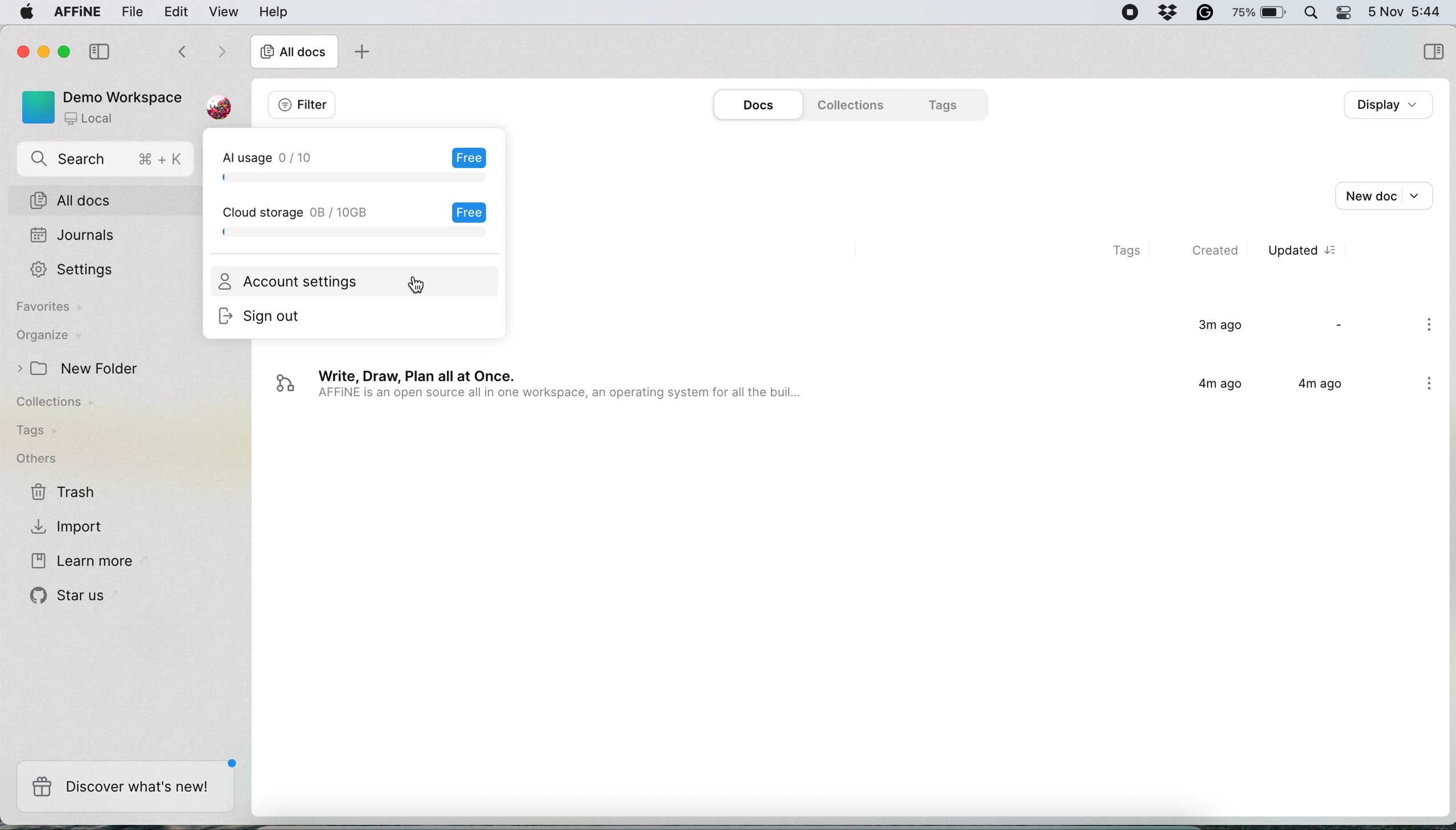 The height and width of the screenshot is (830, 1456). What do you see at coordinates (1433, 53) in the screenshot?
I see `selections` at bounding box center [1433, 53].